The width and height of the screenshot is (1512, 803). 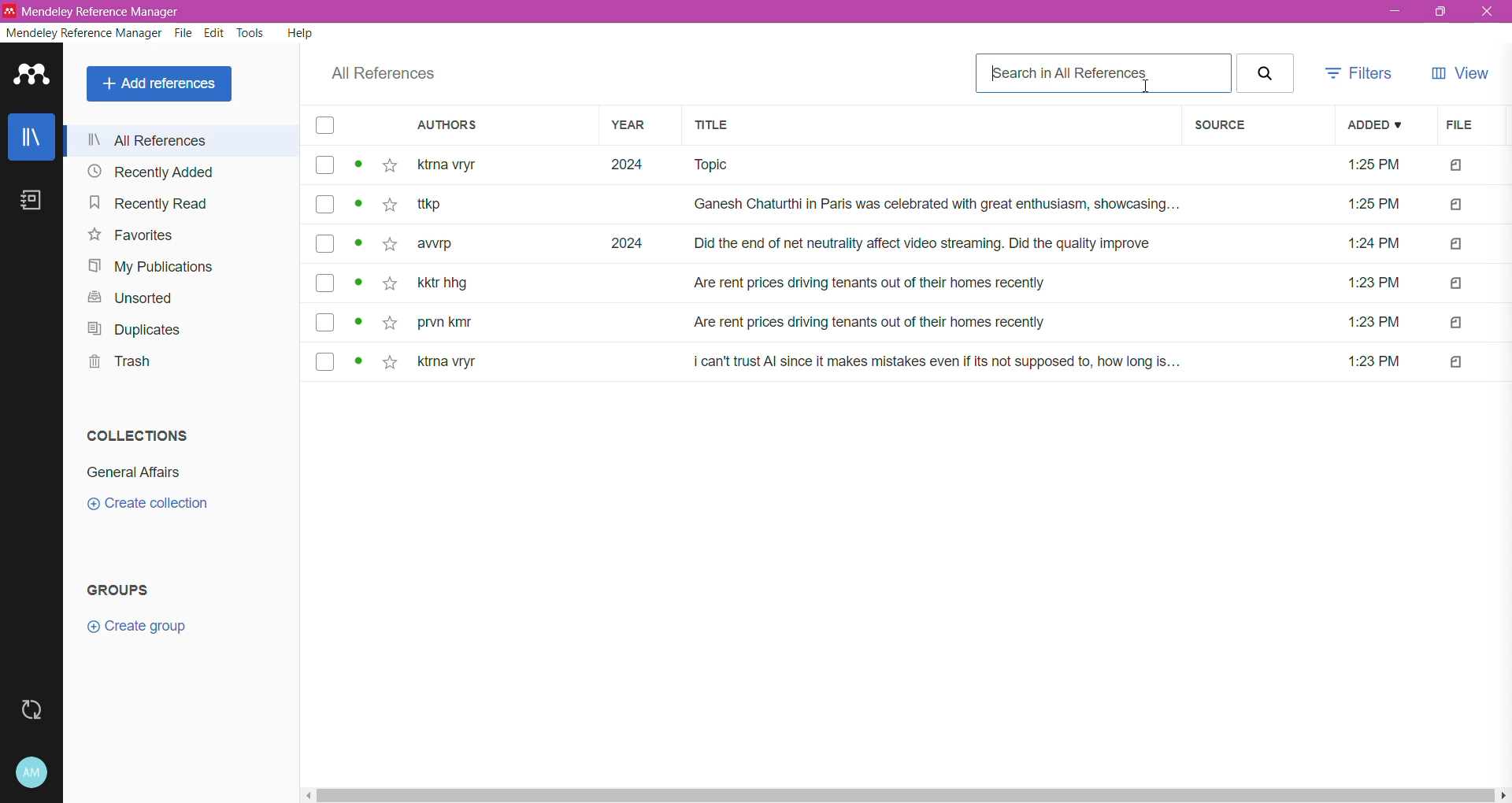 I want to click on click here to add to favourites, so click(x=393, y=362).